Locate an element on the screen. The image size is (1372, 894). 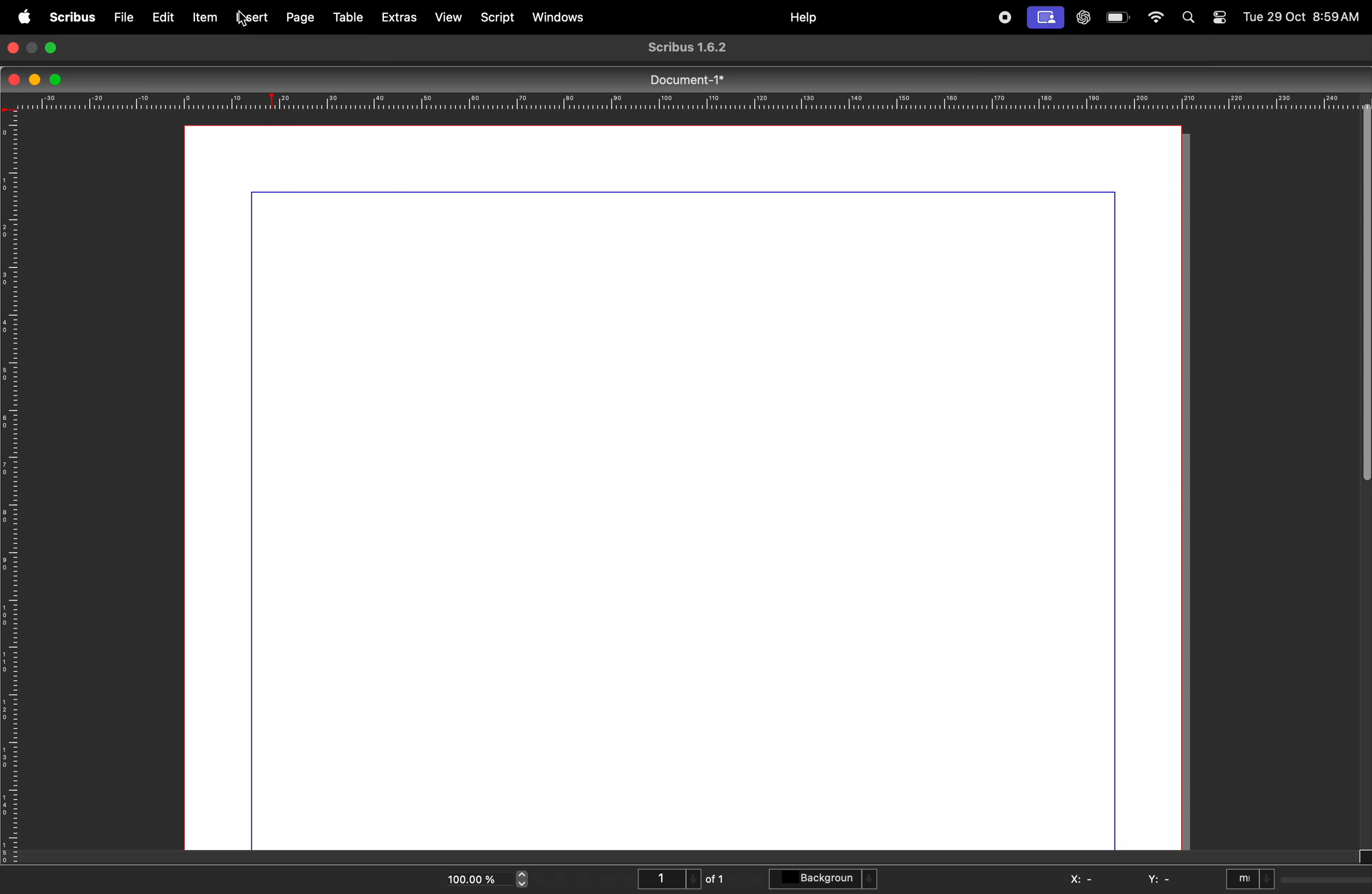
find is located at coordinates (1192, 18).